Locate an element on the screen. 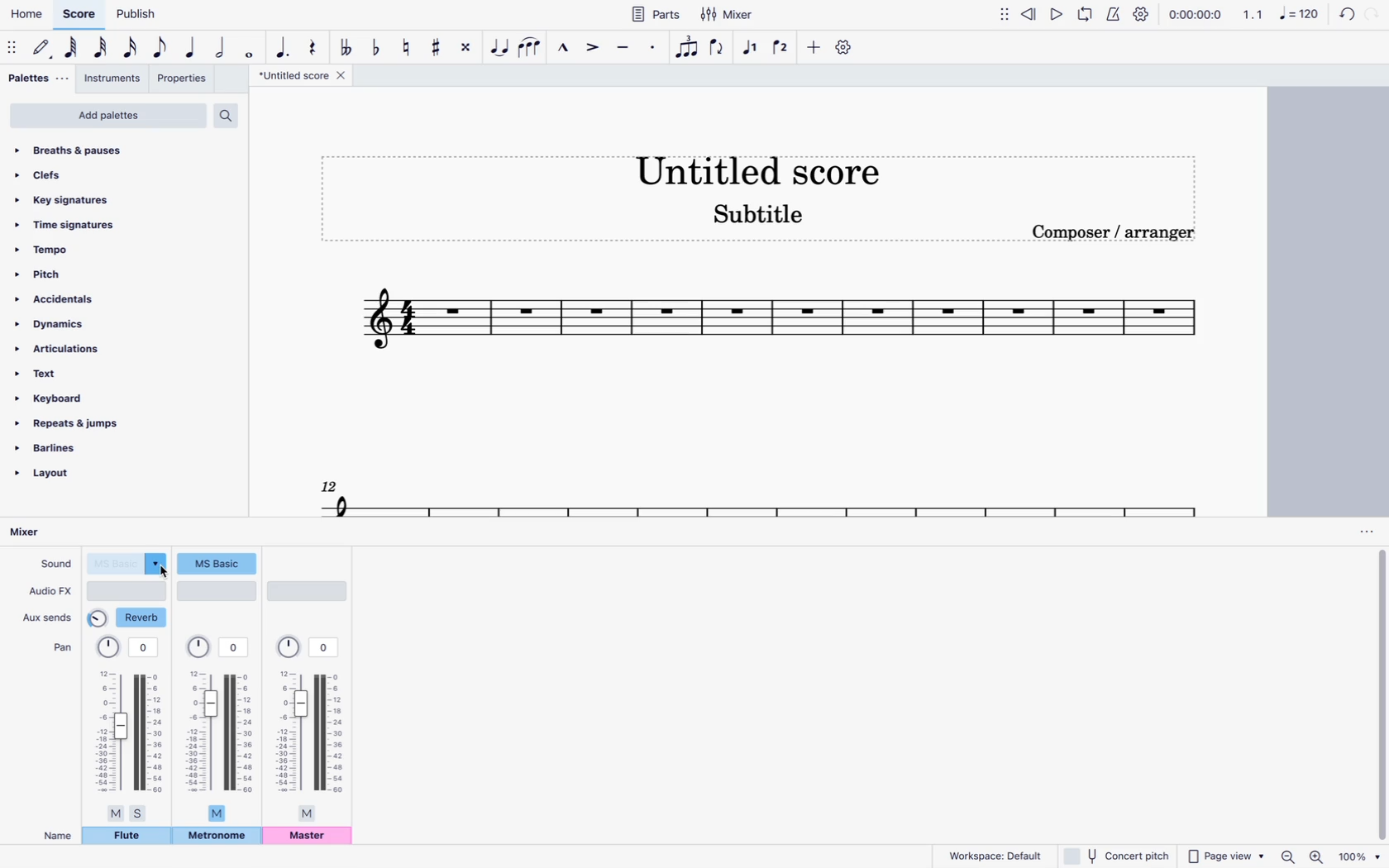 This screenshot has height=868, width=1389. breaths & pauses is located at coordinates (93, 150).